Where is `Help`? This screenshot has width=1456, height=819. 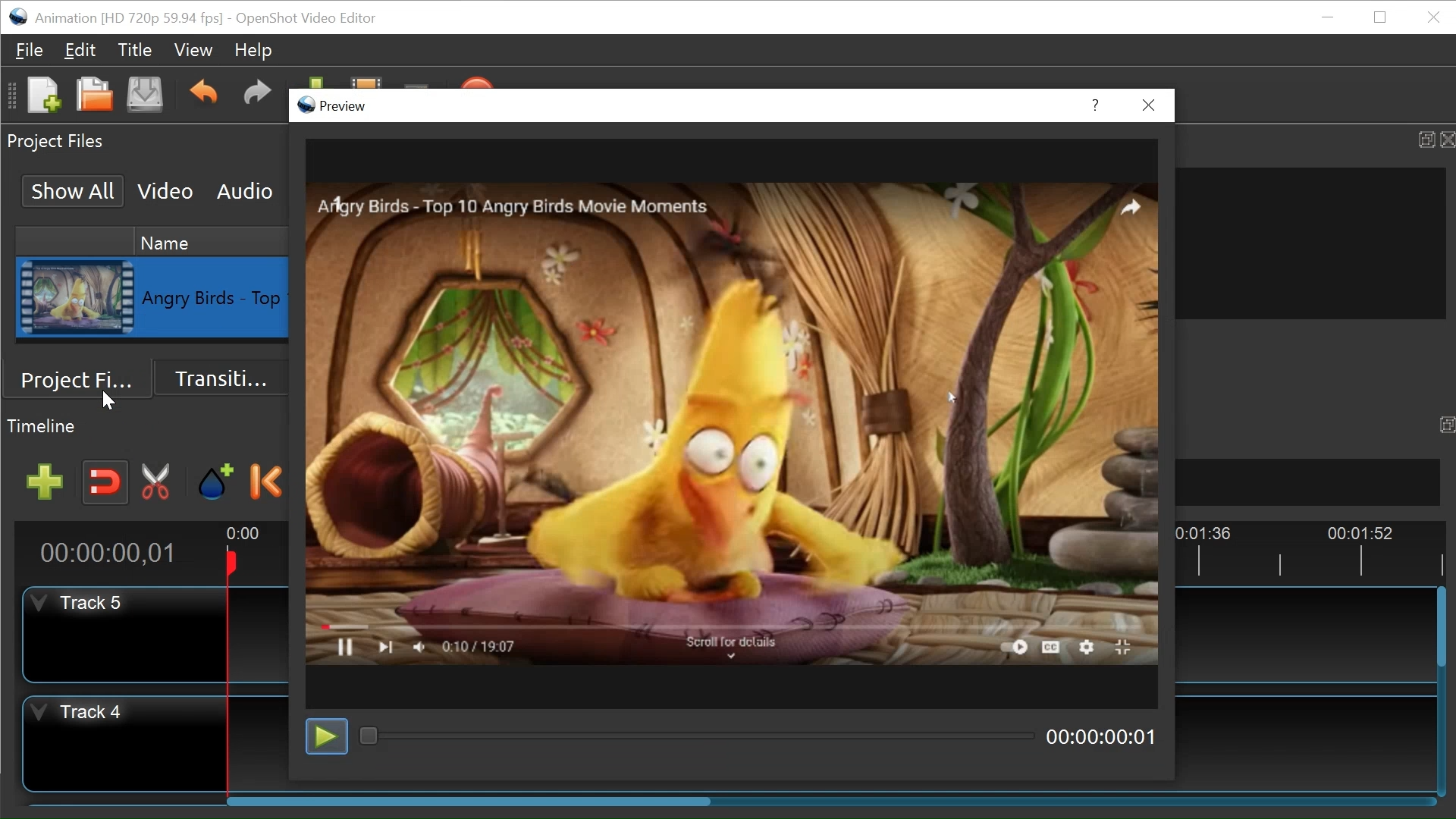
Help is located at coordinates (1099, 105).